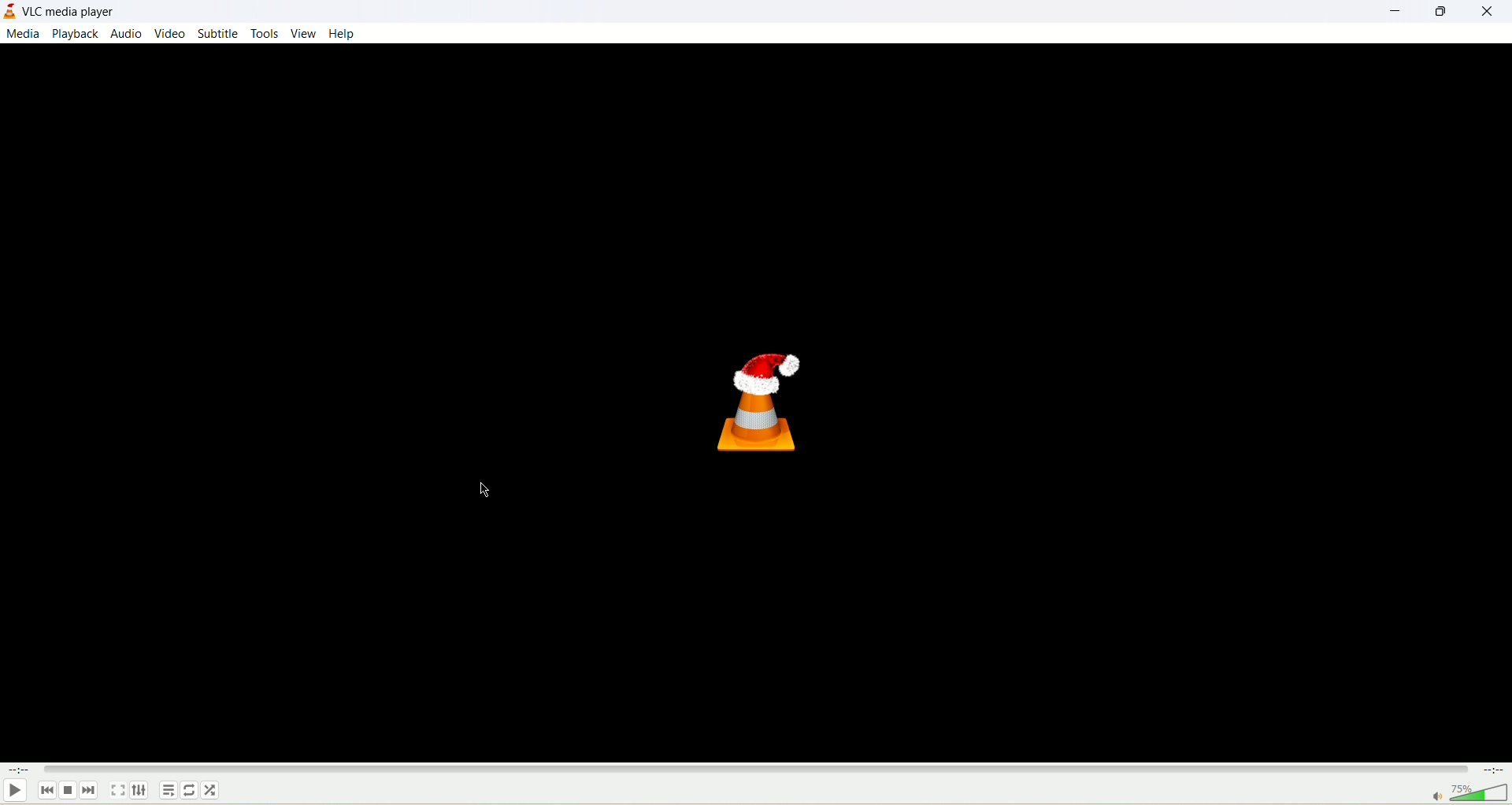 This screenshot has height=805, width=1512. What do you see at coordinates (301, 34) in the screenshot?
I see `view` at bounding box center [301, 34].